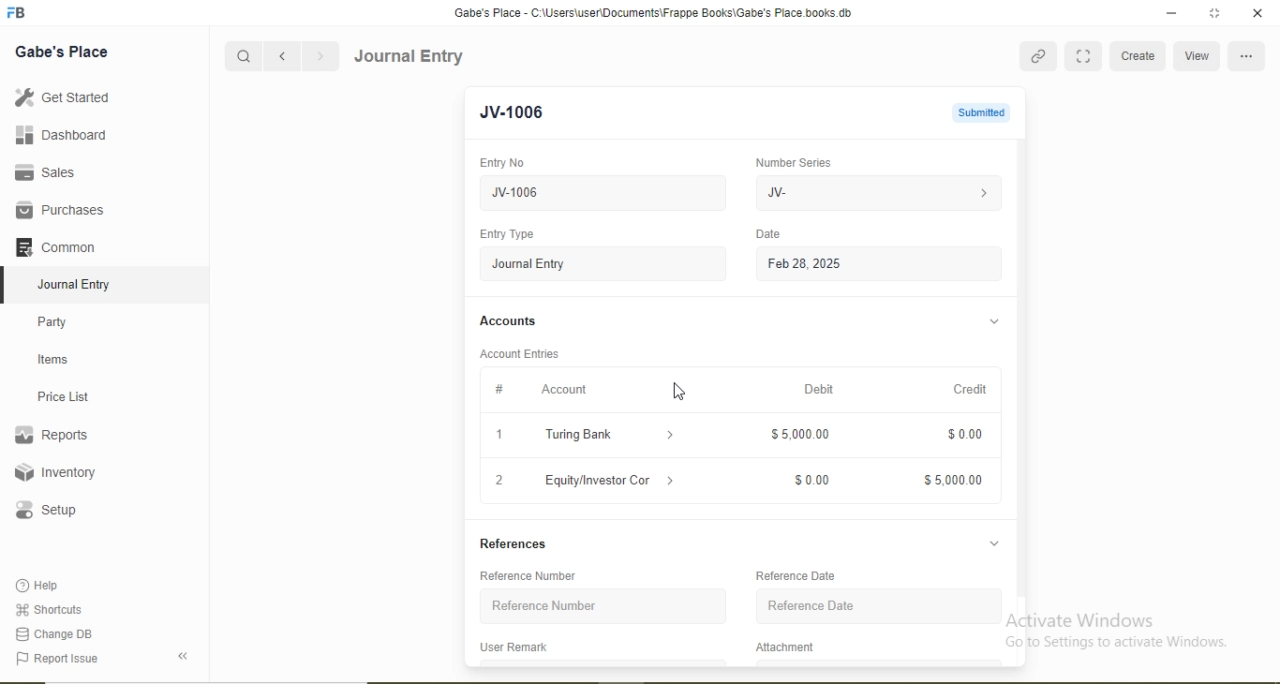 The image size is (1280, 684). What do you see at coordinates (800, 433) in the screenshot?
I see `$5,000.00` at bounding box center [800, 433].